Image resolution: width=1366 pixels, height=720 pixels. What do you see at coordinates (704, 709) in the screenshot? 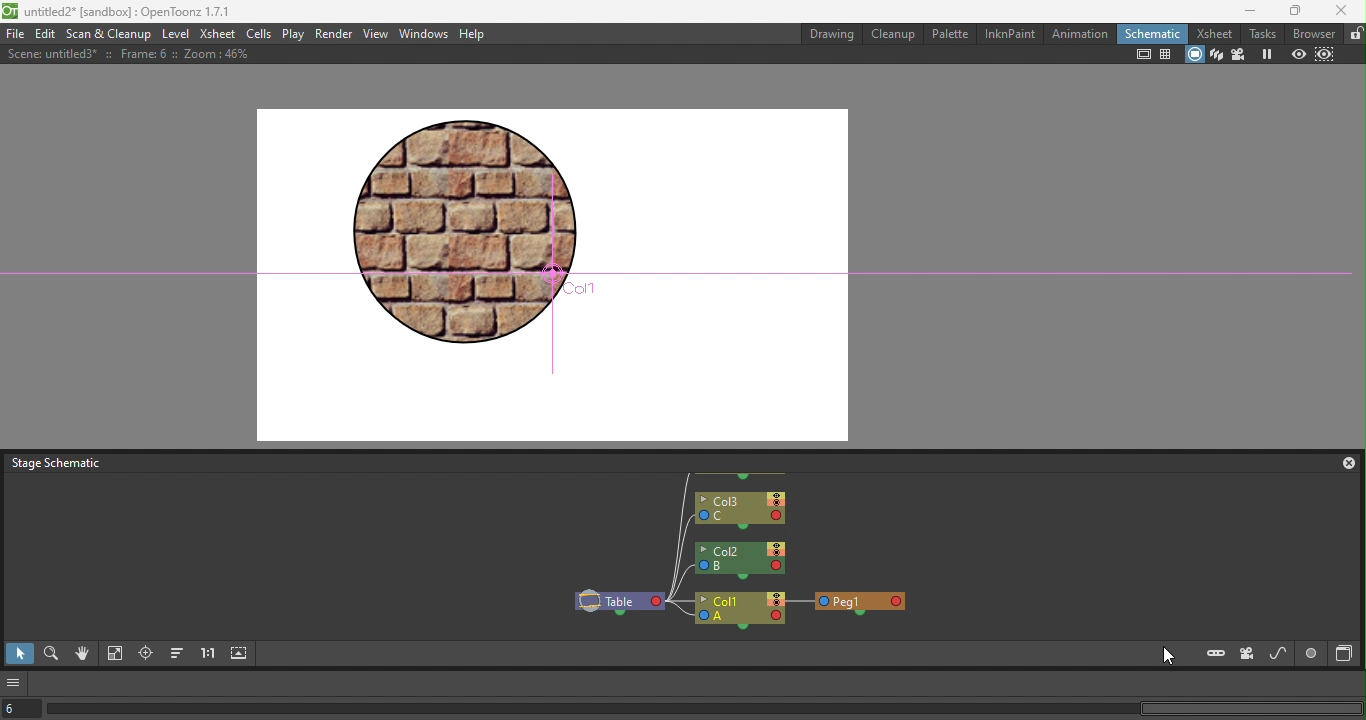
I see `Horizontal scroll bar` at bounding box center [704, 709].